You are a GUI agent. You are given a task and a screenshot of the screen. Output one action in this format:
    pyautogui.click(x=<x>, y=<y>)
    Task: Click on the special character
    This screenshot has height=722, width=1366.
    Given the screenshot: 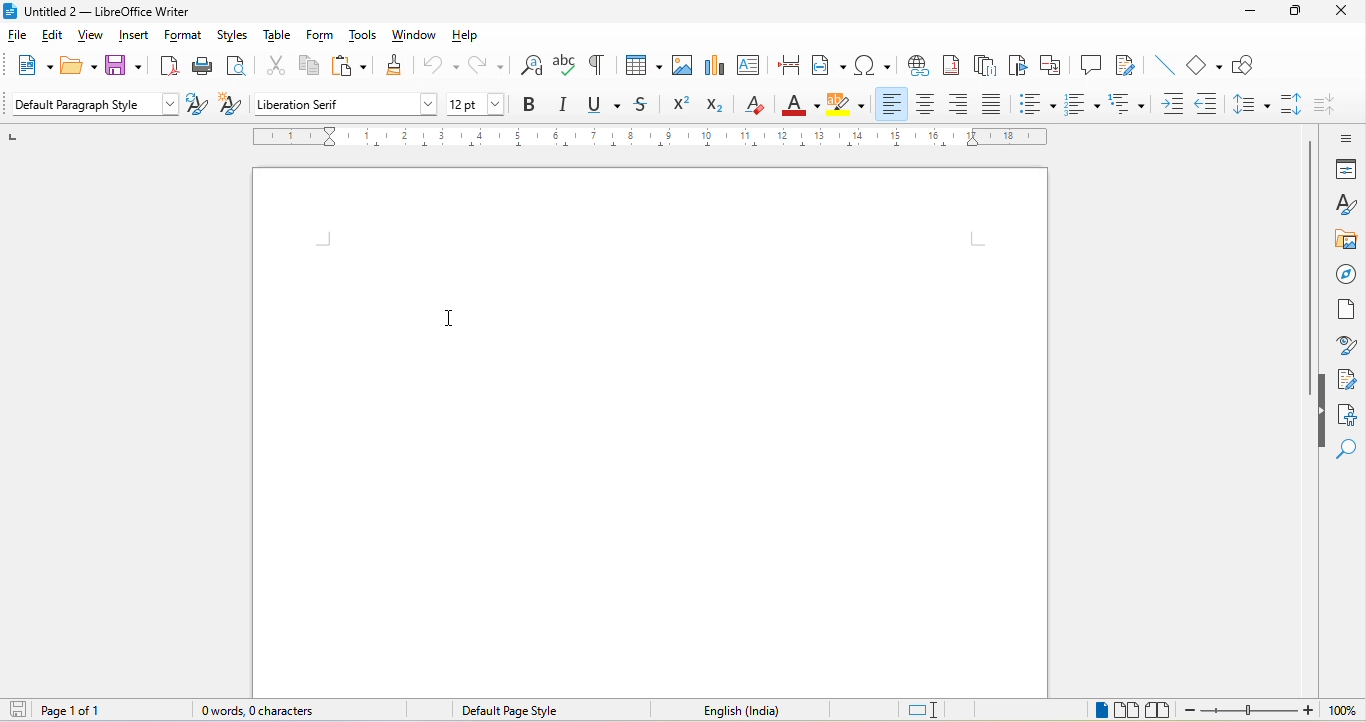 What is the action you would take?
    pyautogui.click(x=875, y=67)
    